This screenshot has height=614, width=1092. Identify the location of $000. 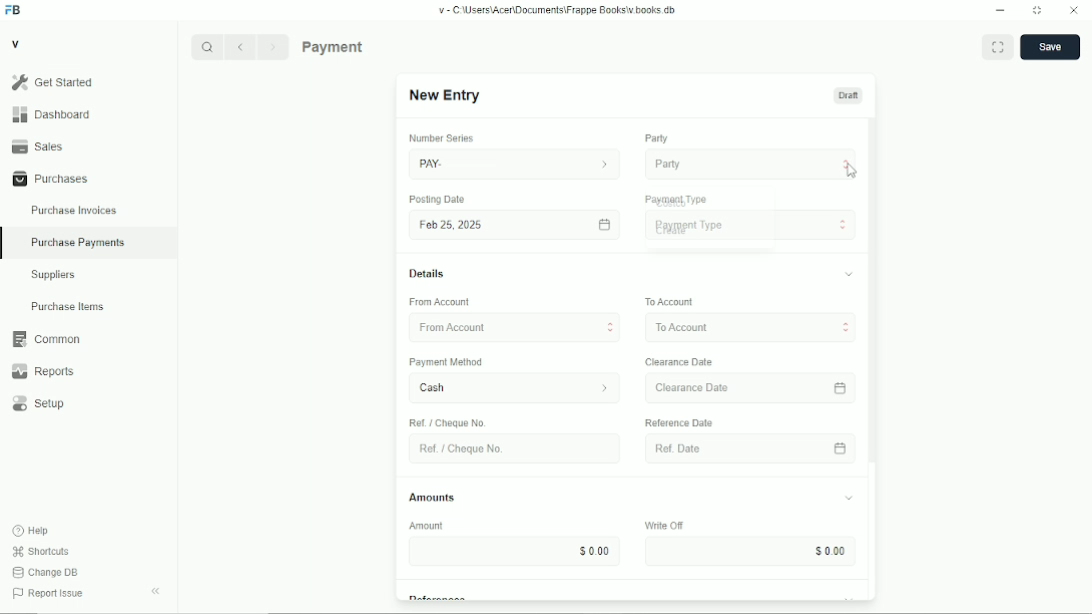
(519, 551).